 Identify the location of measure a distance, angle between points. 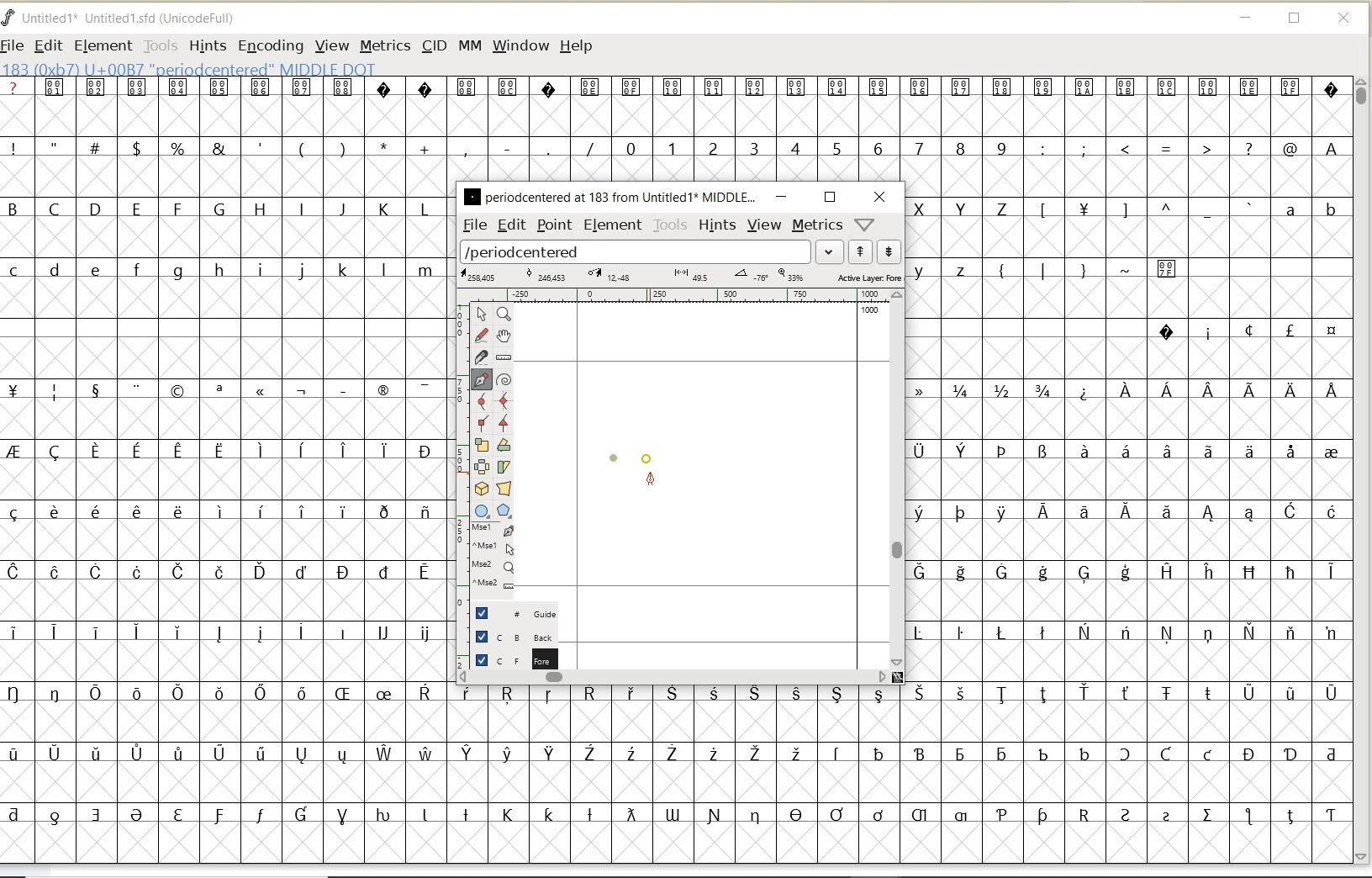
(504, 357).